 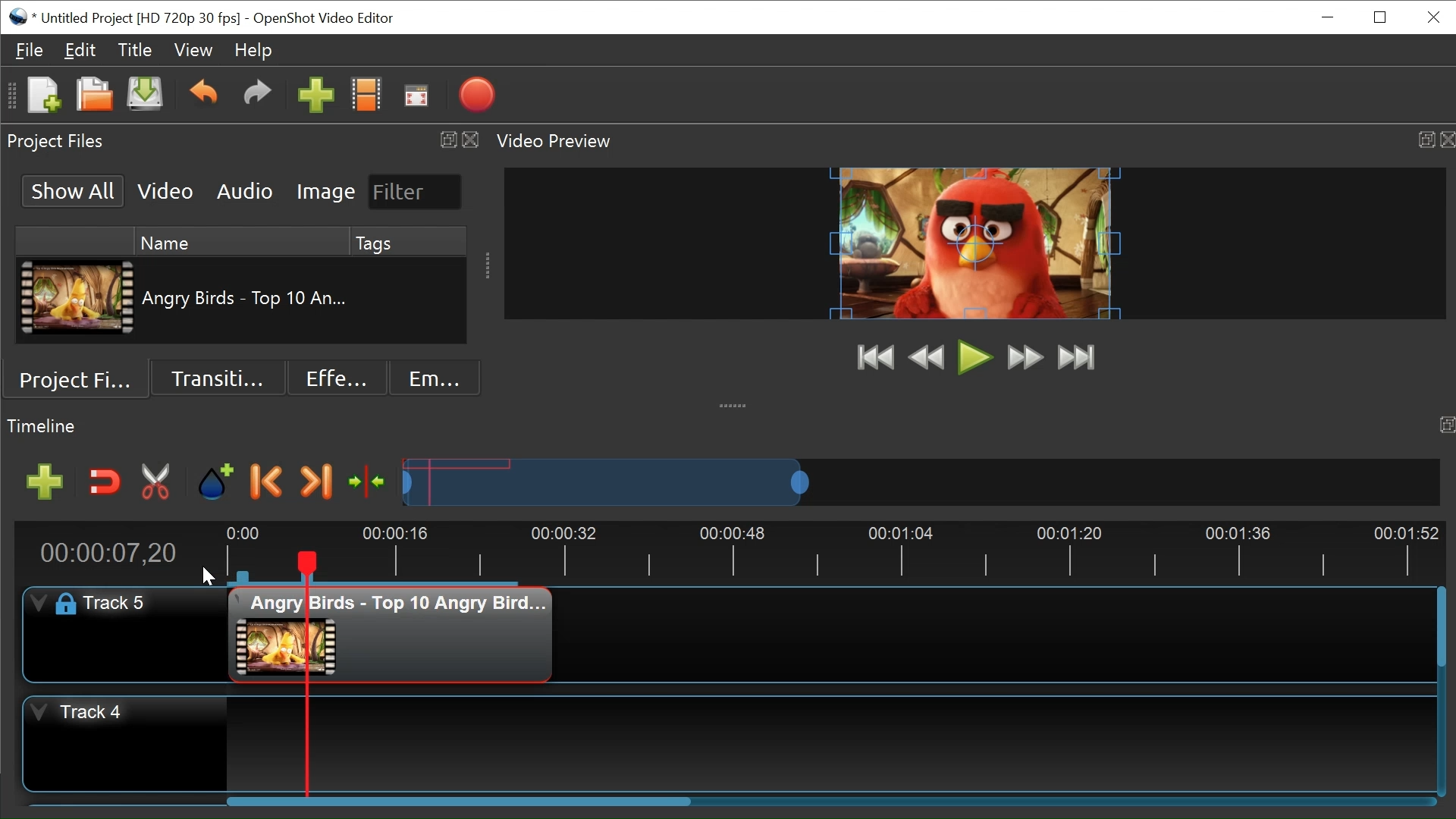 What do you see at coordinates (975, 143) in the screenshot?
I see `Video Preview` at bounding box center [975, 143].